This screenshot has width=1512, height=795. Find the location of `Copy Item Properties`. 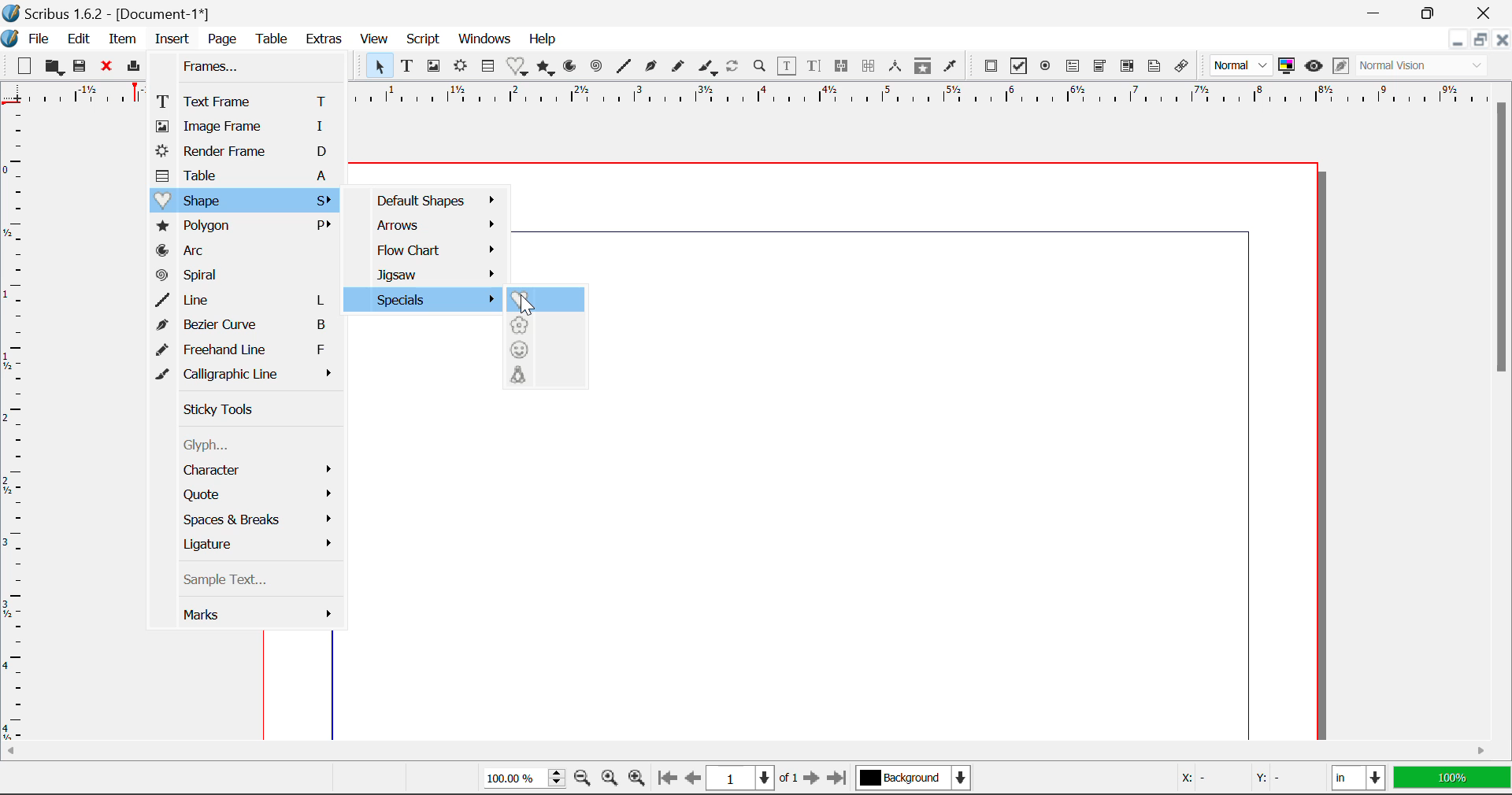

Copy Item Properties is located at coordinates (926, 68).